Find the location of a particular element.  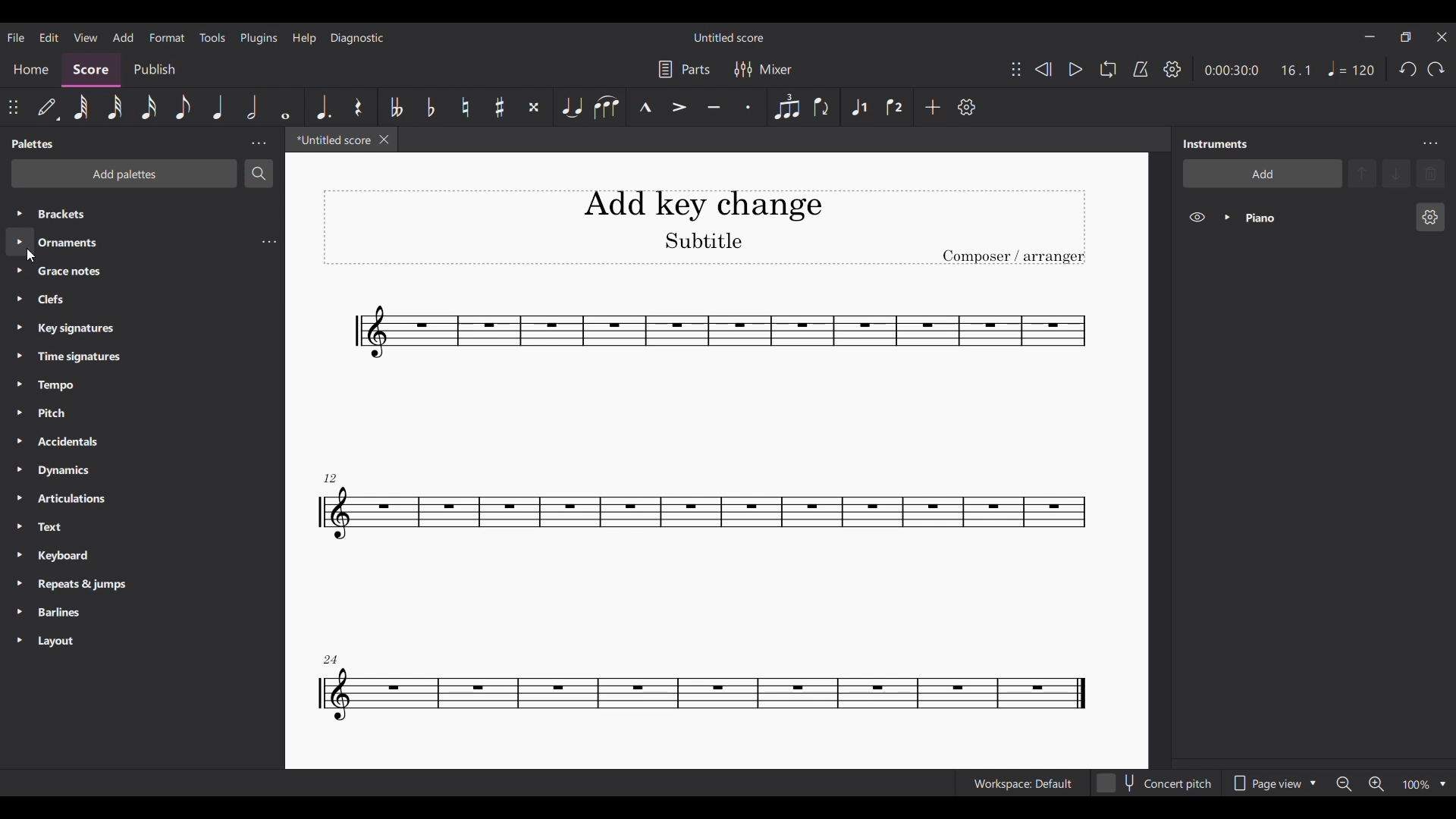

Help menu is located at coordinates (303, 38).